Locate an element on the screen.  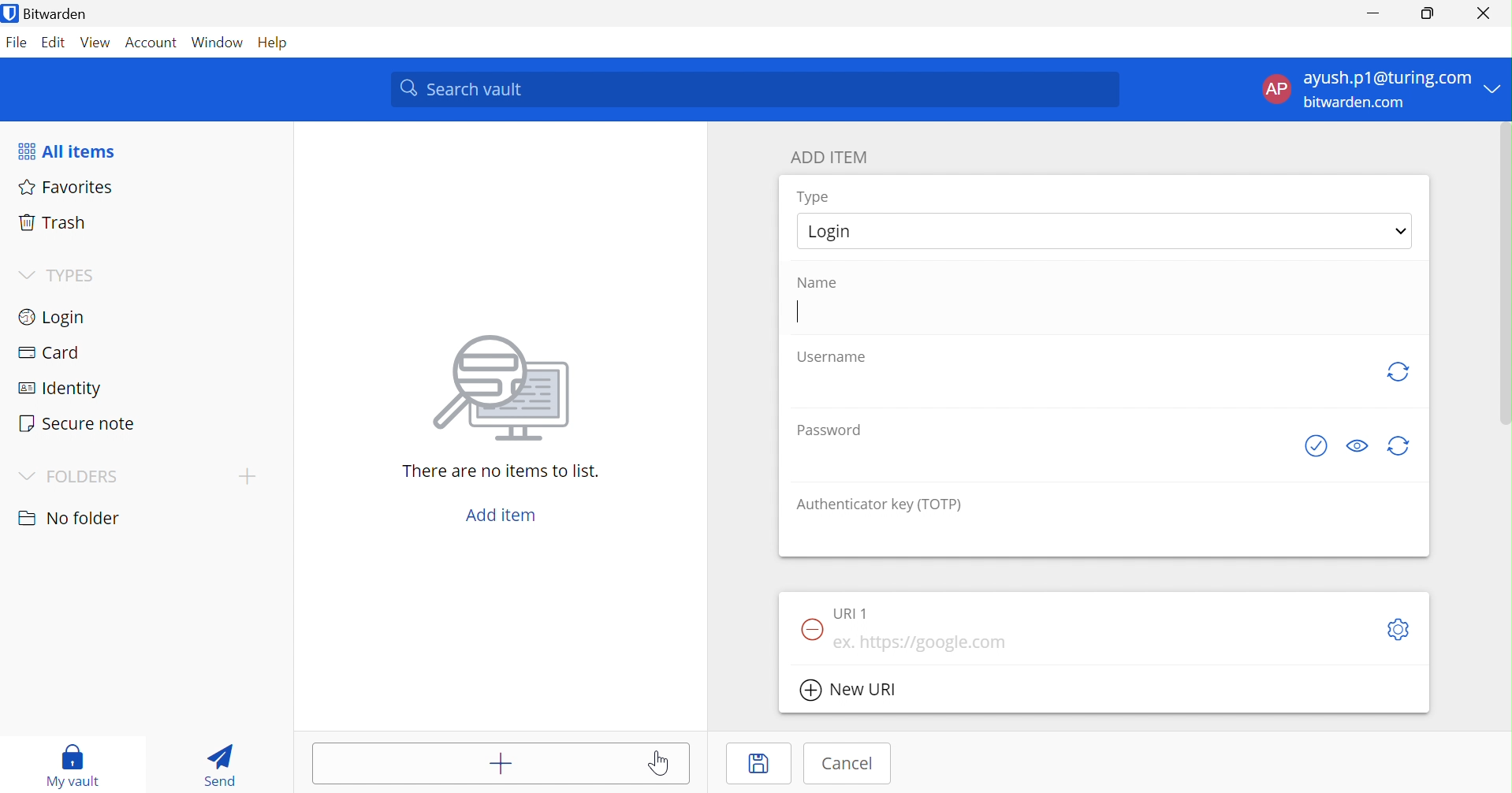
bitwarden.com is located at coordinates (1356, 103).